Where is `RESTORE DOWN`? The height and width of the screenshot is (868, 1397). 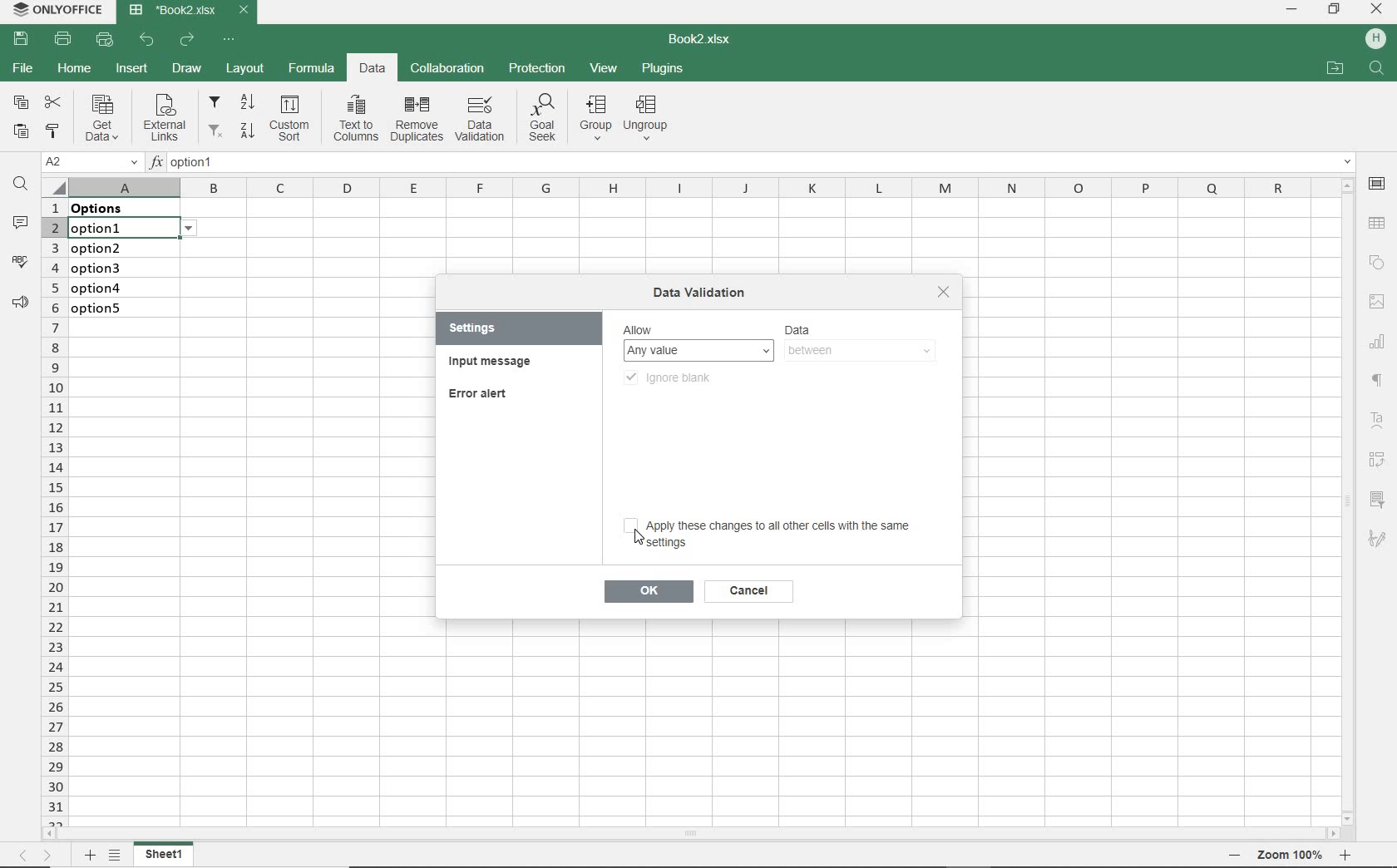
RESTORE DOWN is located at coordinates (1335, 11).